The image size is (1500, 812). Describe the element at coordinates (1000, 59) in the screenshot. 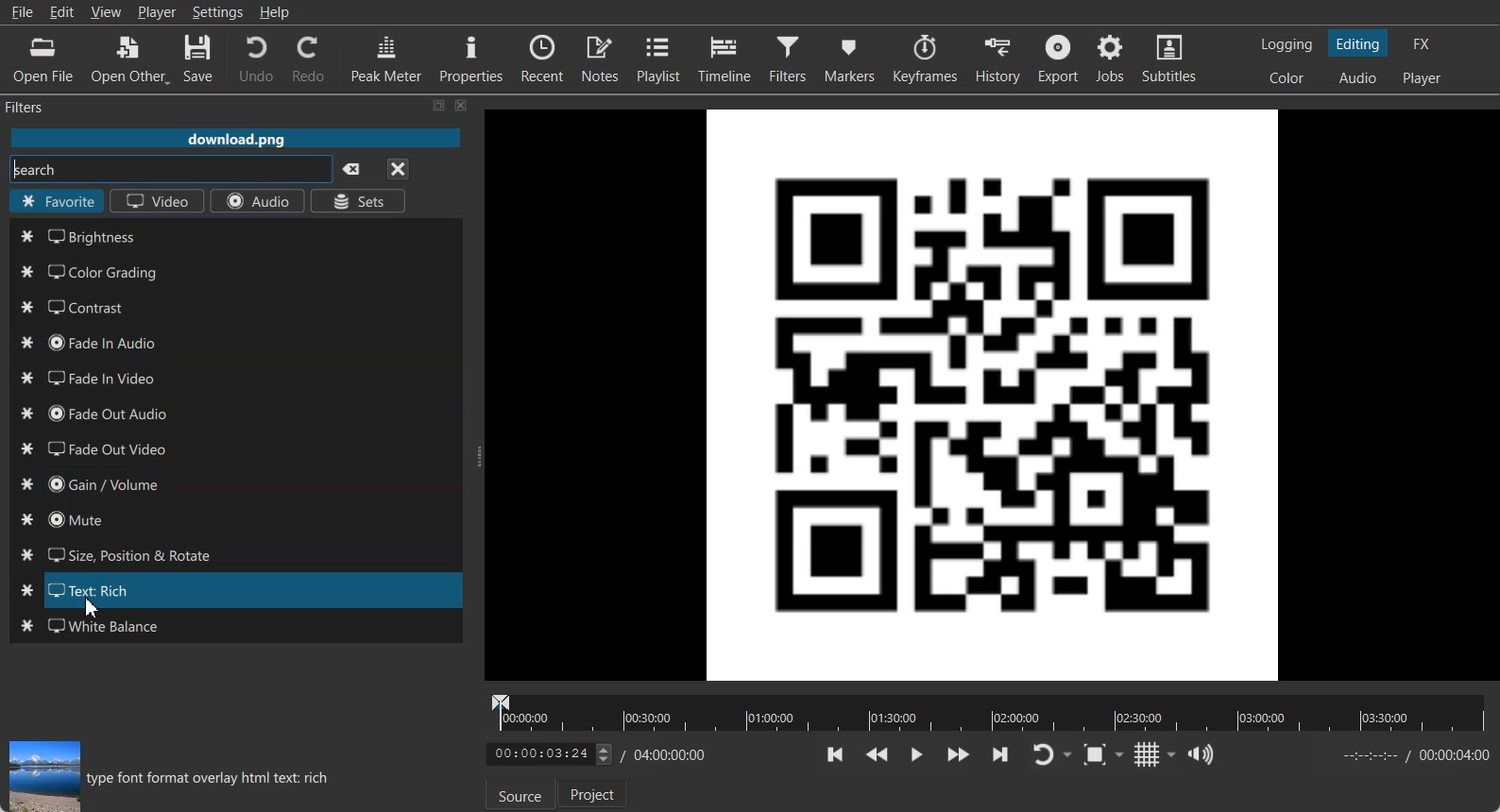

I see `History` at that location.